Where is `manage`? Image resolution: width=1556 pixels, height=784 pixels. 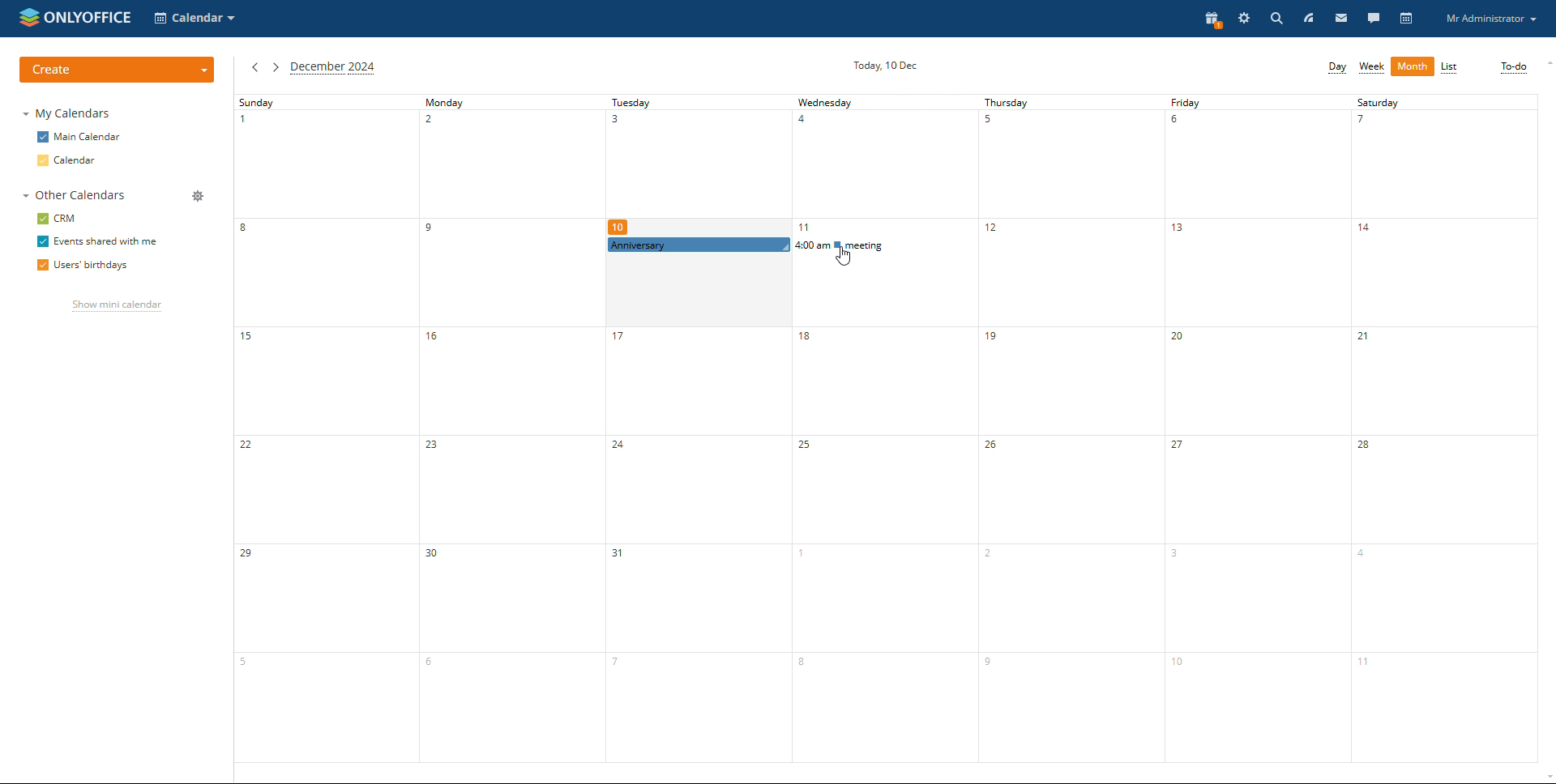 manage is located at coordinates (196, 195).